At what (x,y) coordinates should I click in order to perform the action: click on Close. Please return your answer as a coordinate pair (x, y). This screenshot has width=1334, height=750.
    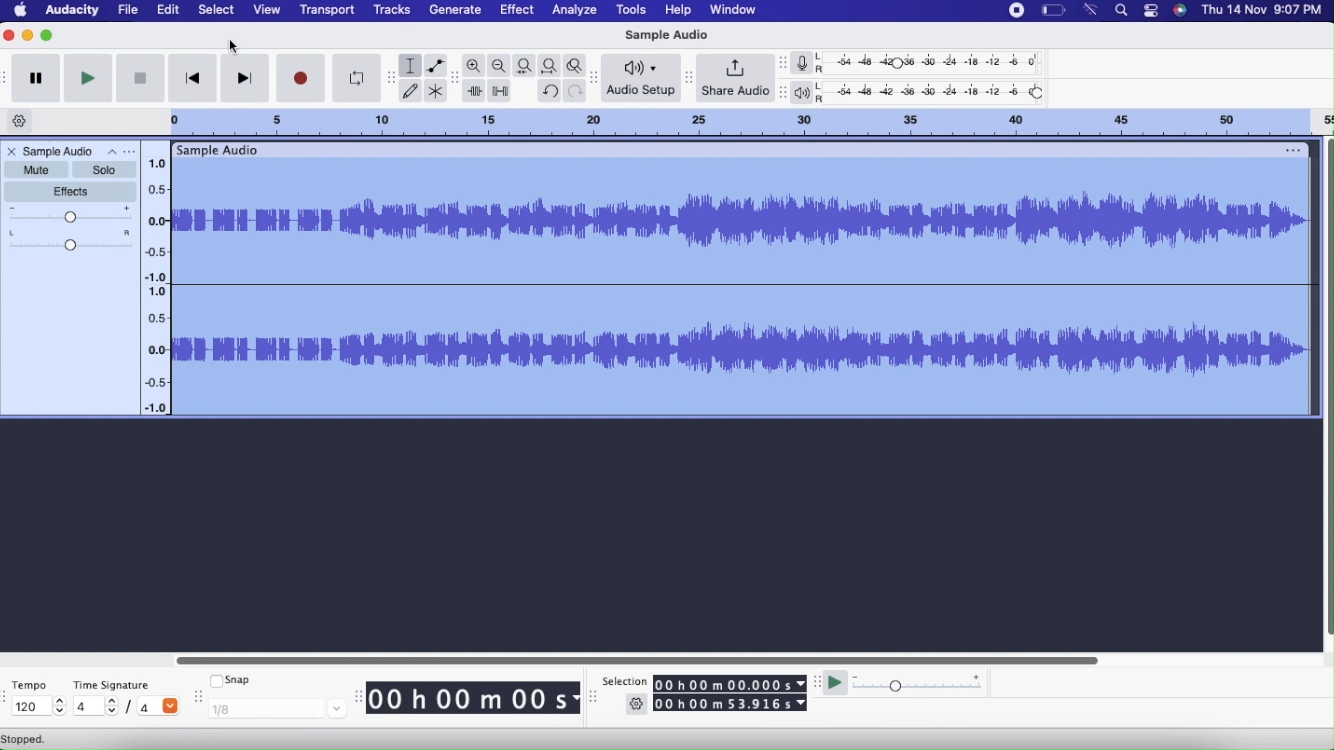
    Looking at the image, I should click on (15, 152).